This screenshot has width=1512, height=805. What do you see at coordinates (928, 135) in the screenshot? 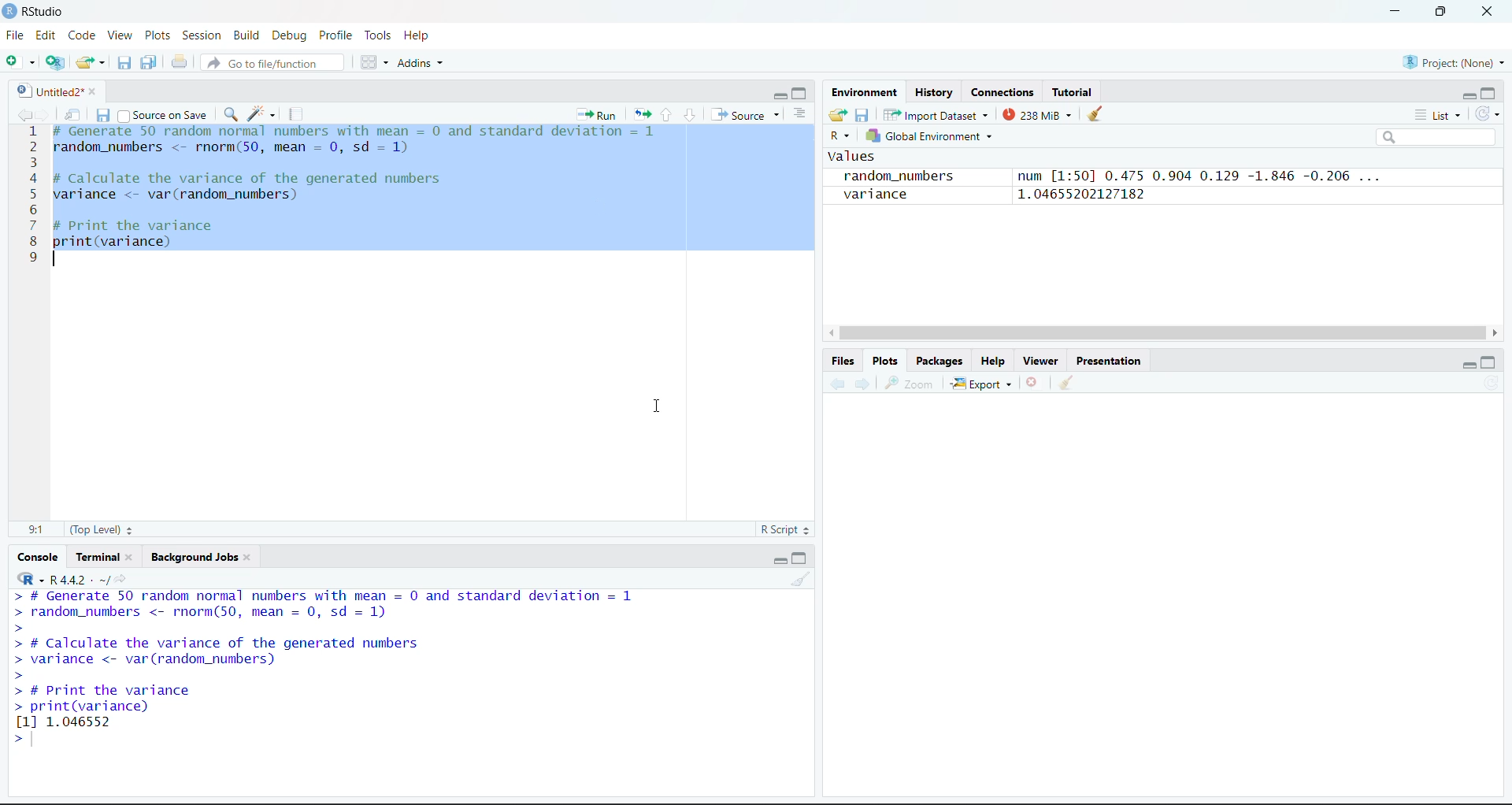
I see `Global Environment` at bounding box center [928, 135].